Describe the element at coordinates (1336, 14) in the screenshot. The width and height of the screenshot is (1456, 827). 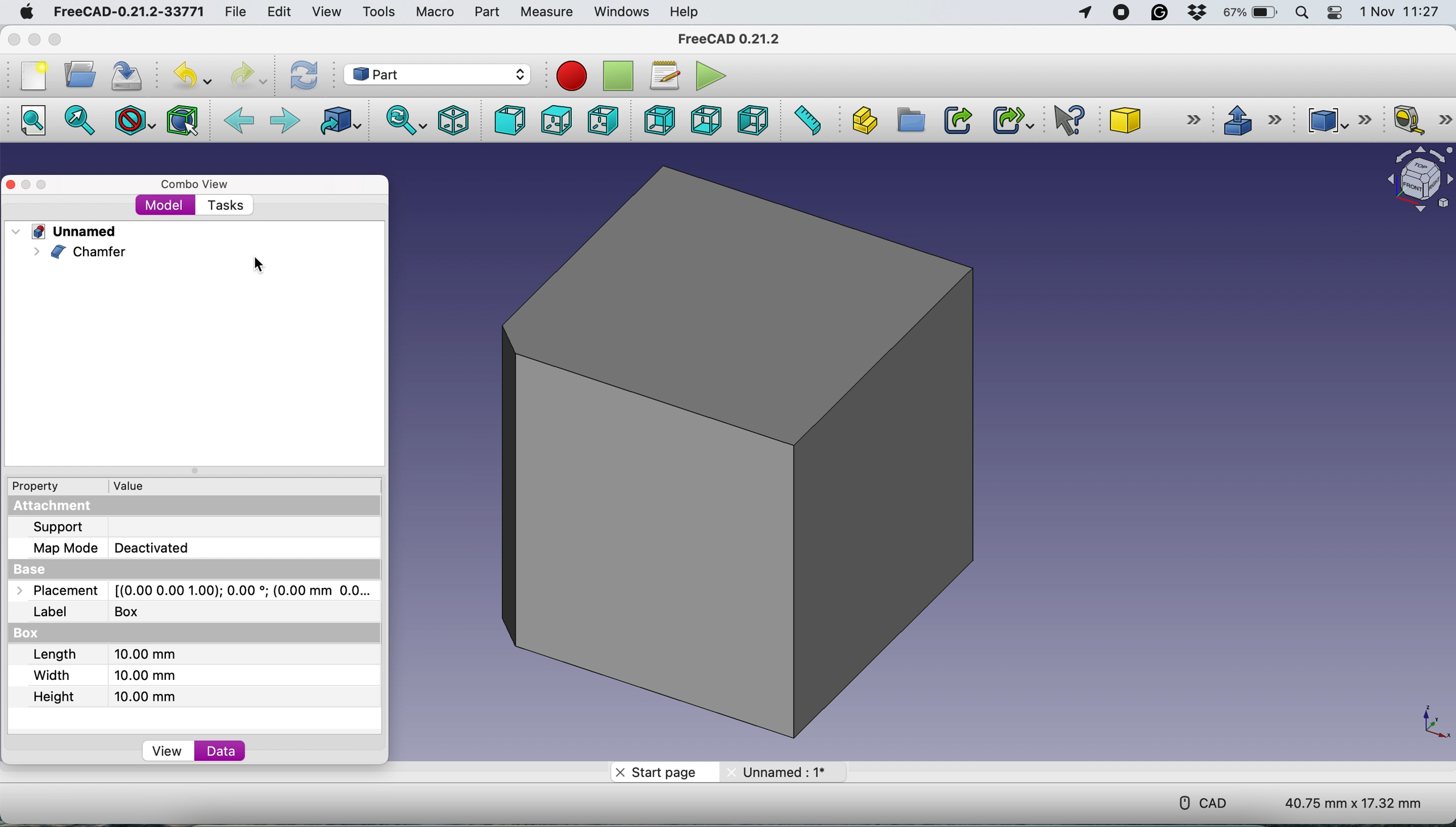
I see `control center` at that location.